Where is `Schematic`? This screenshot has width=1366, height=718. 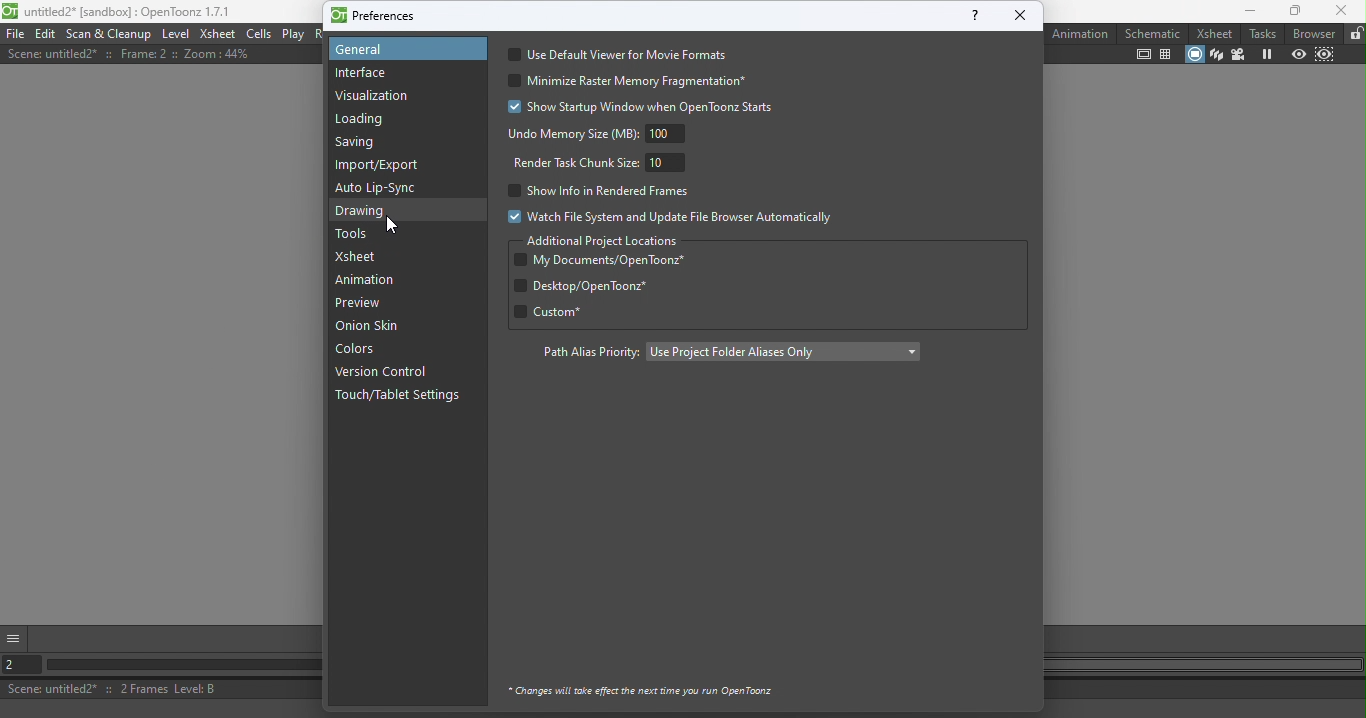
Schematic is located at coordinates (1153, 33).